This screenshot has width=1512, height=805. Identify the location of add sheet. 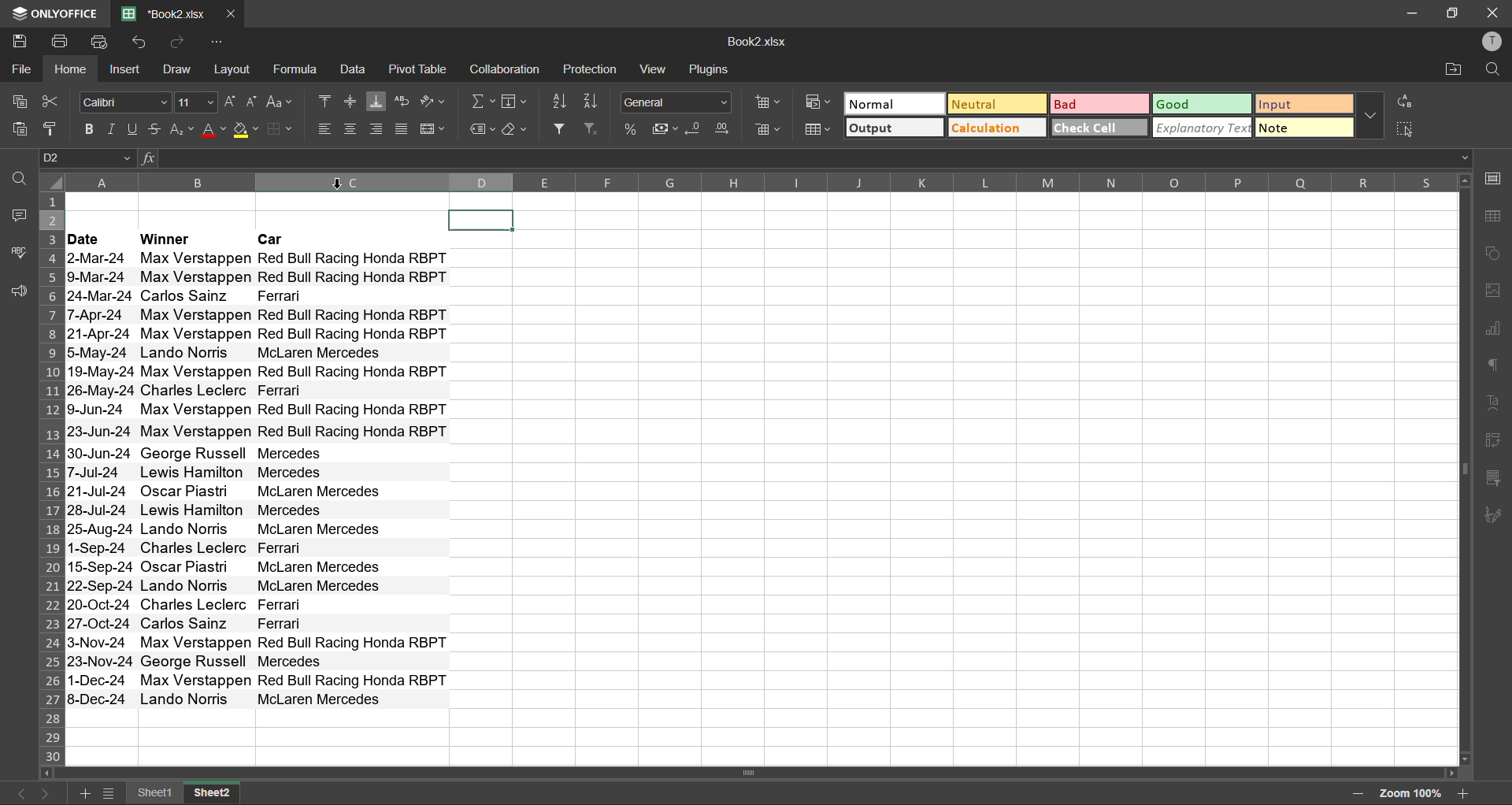
(87, 794).